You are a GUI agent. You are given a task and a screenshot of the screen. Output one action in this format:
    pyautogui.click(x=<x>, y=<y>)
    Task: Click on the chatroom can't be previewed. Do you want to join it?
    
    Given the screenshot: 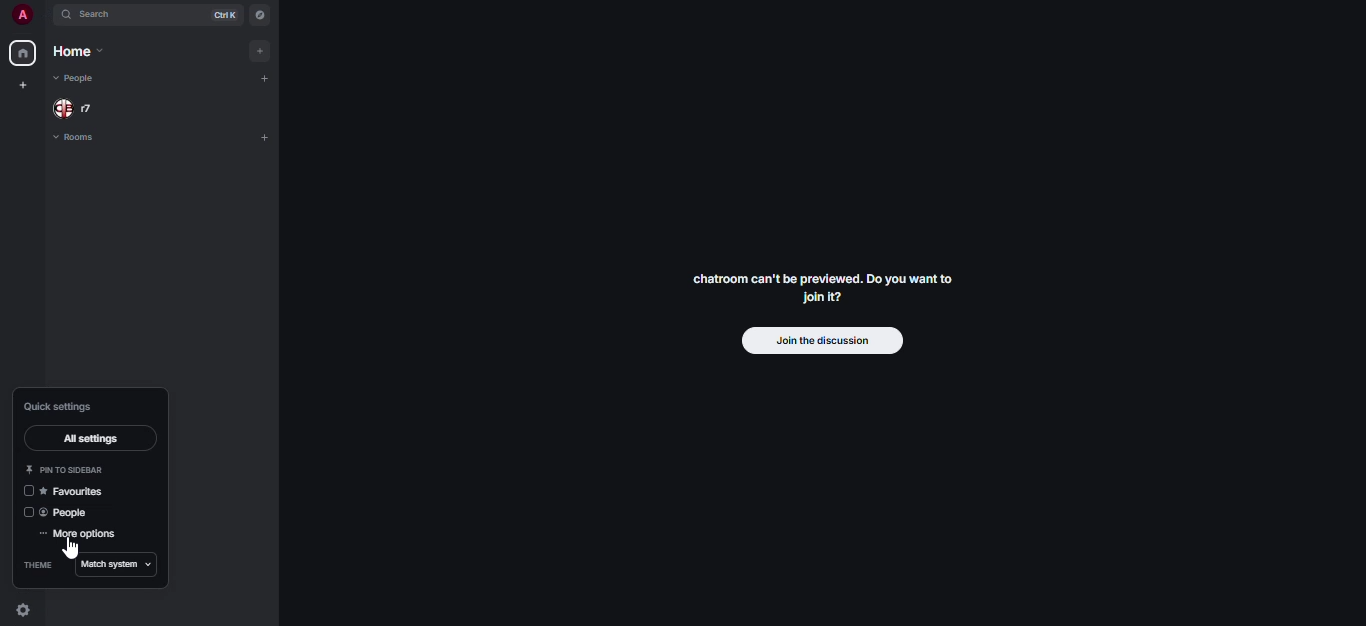 What is the action you would take?
    pyautogui.click(x=826, y=287)
    